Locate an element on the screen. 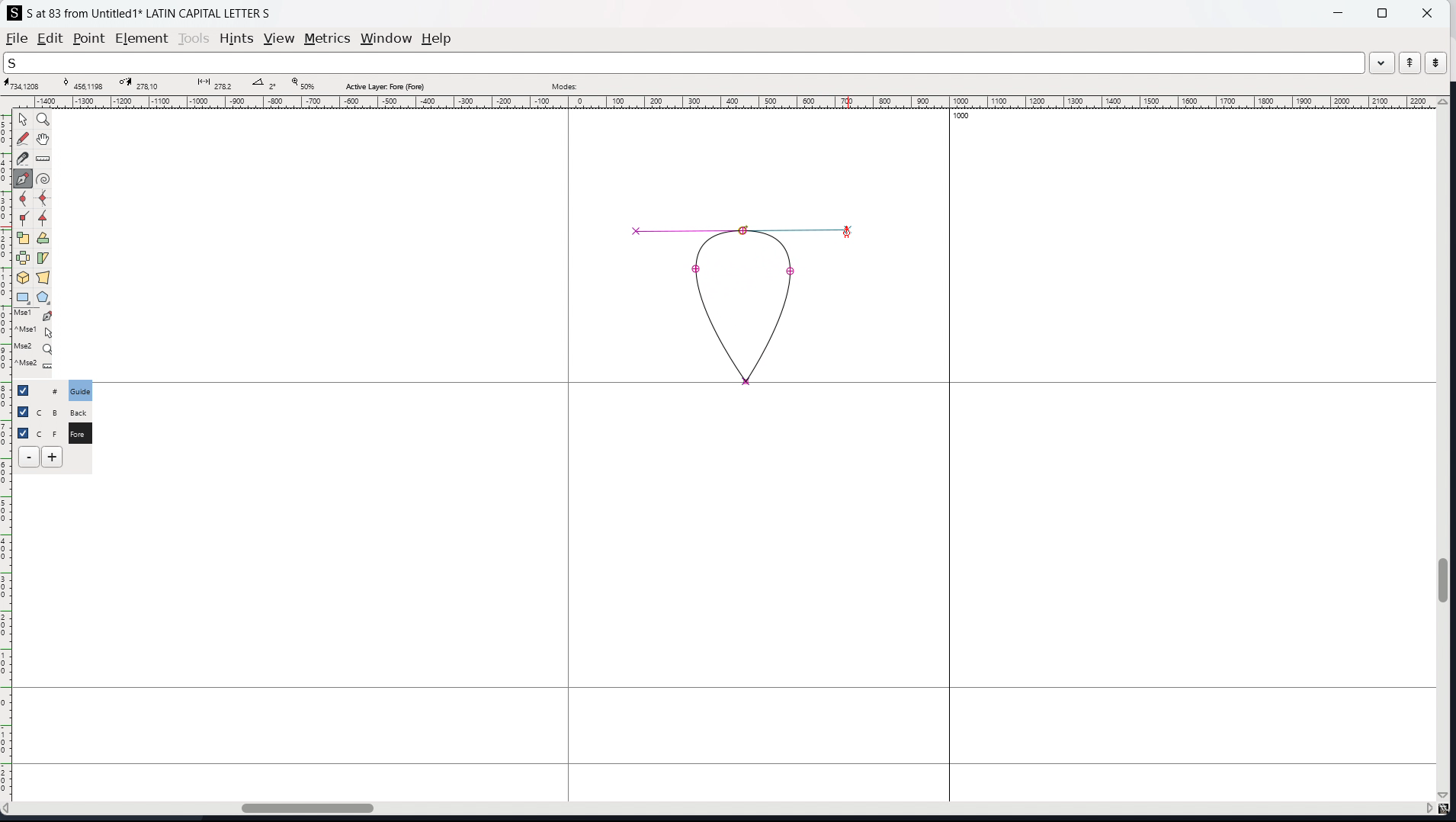 This screenshot has width=1456, height=822. checkbox is located at coordinates (22, 410).